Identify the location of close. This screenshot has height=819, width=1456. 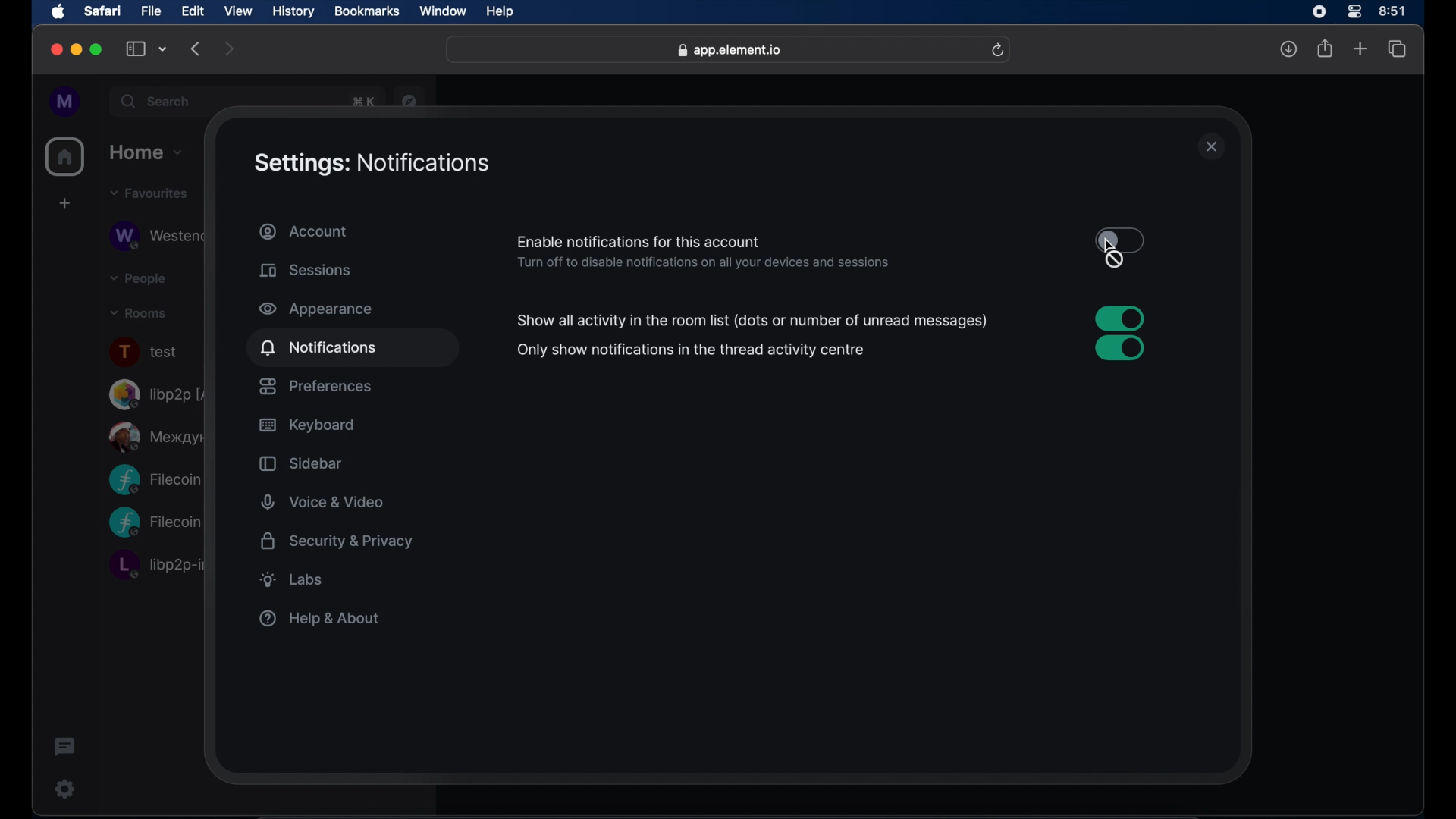
(55, 50).